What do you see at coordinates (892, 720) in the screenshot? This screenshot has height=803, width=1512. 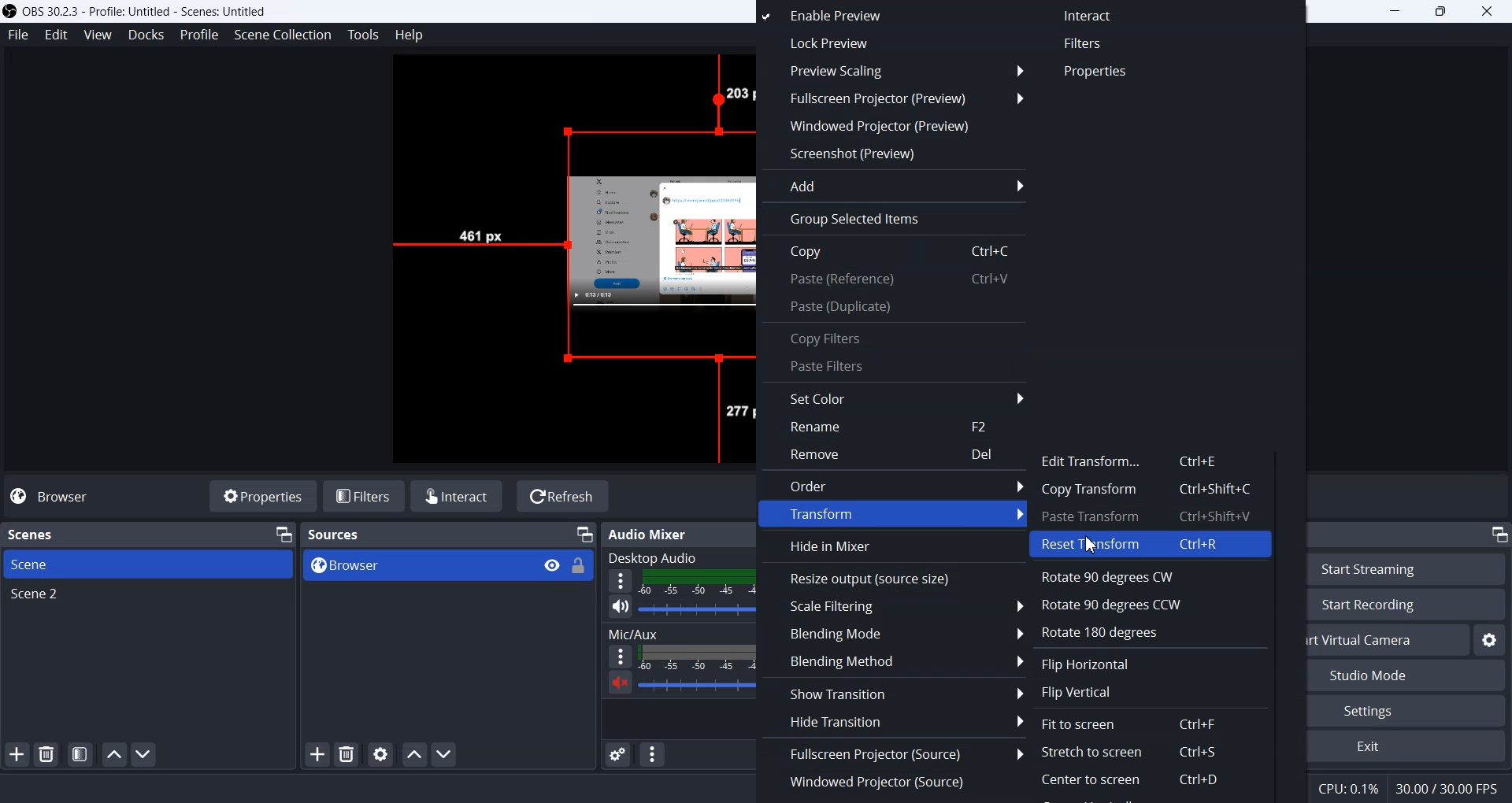 I see `Hide Transition` at bounding box center [892, 720].